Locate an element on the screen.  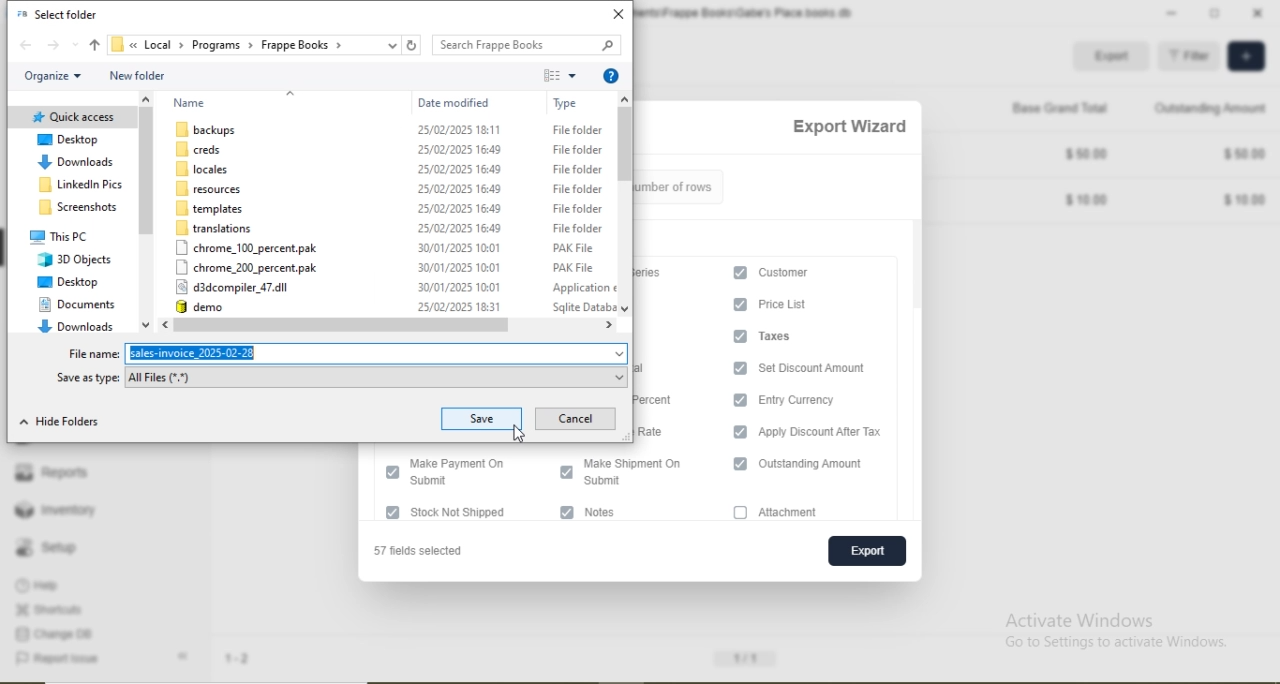
PAK File is located at coordinates (574, 266).